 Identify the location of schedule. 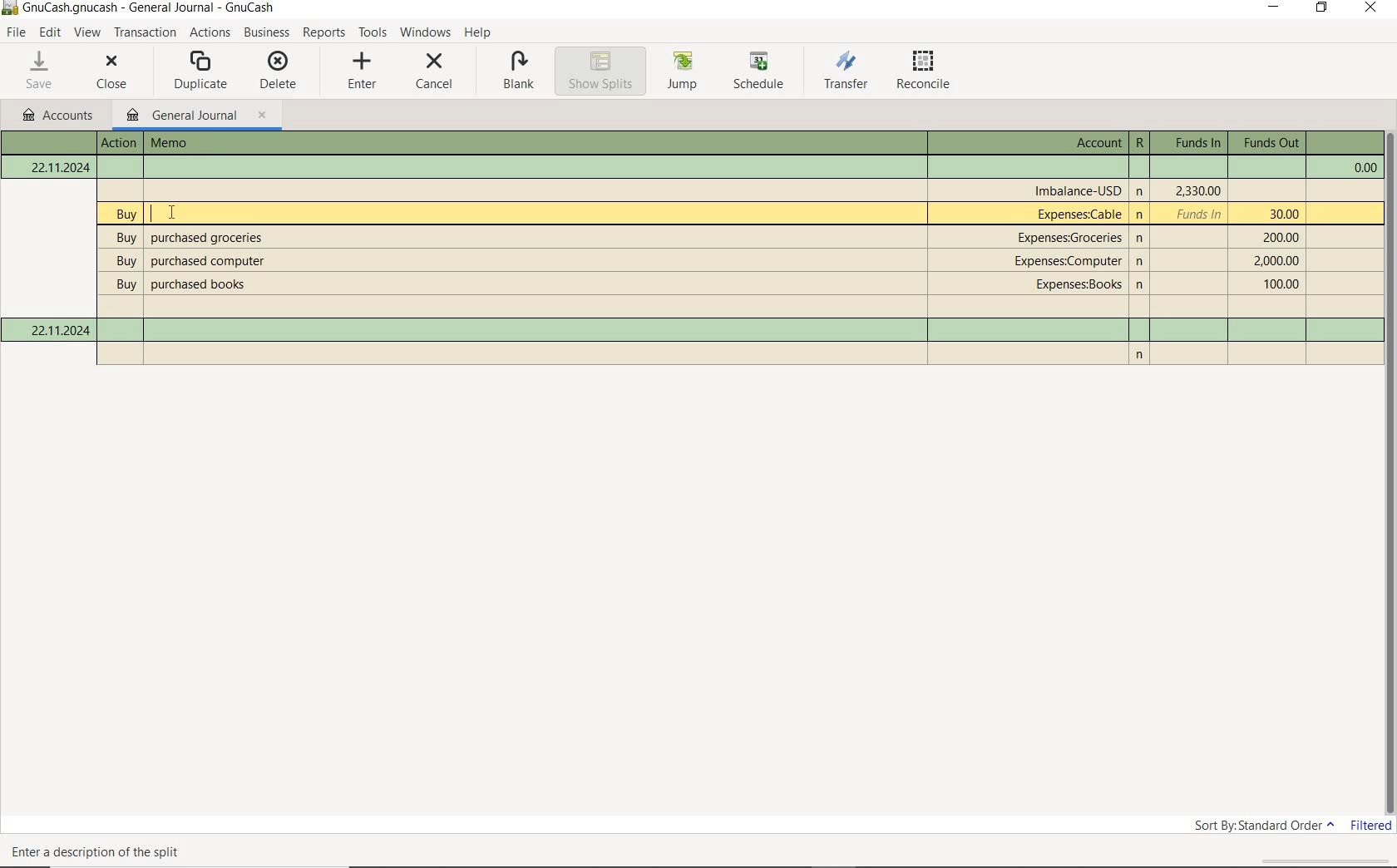
(763, 72).